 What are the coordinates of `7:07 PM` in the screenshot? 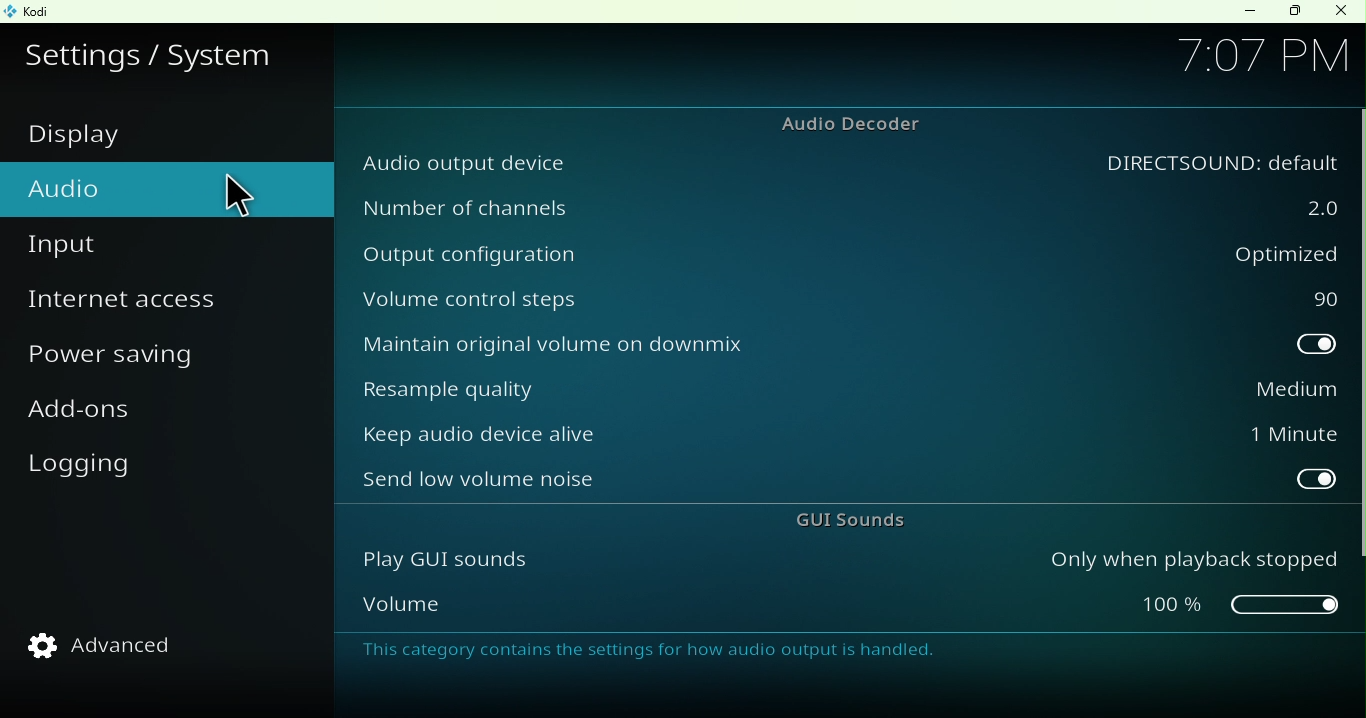 It's located at (1250, 59).